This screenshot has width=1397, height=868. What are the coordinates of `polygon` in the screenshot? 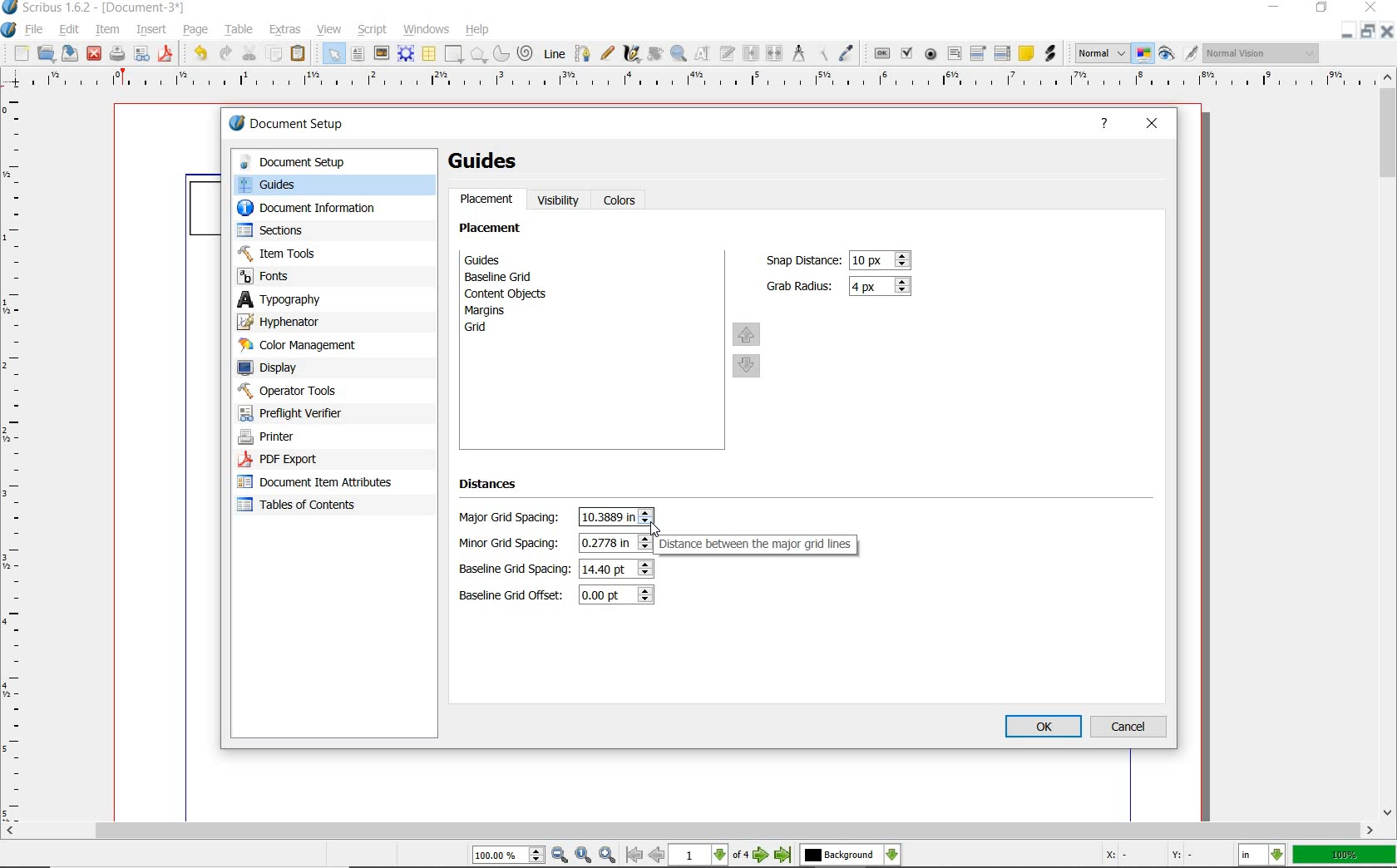 It's located at (477, 55).